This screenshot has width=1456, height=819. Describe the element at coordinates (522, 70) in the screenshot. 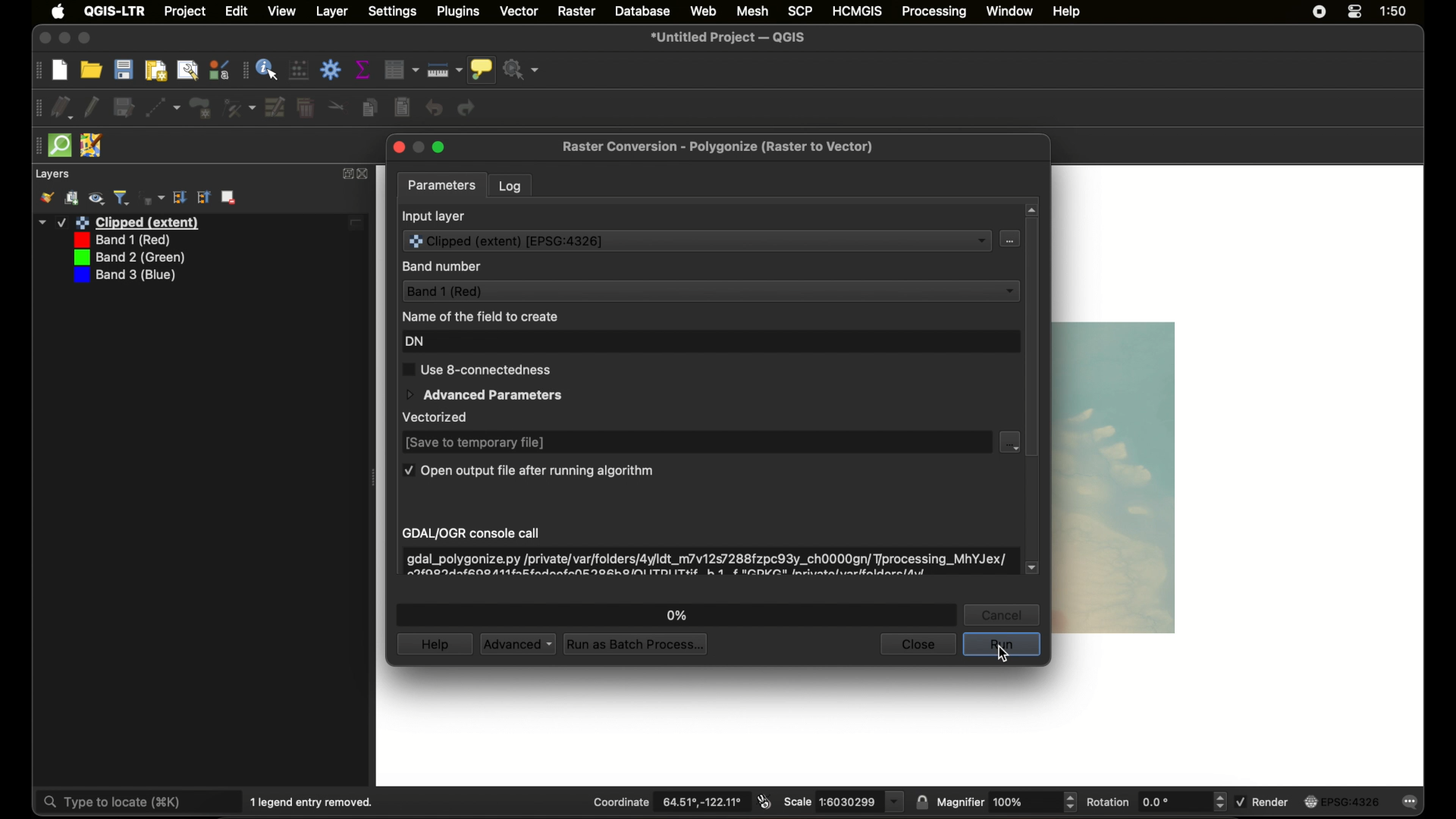

I see `no action selected` at that location.